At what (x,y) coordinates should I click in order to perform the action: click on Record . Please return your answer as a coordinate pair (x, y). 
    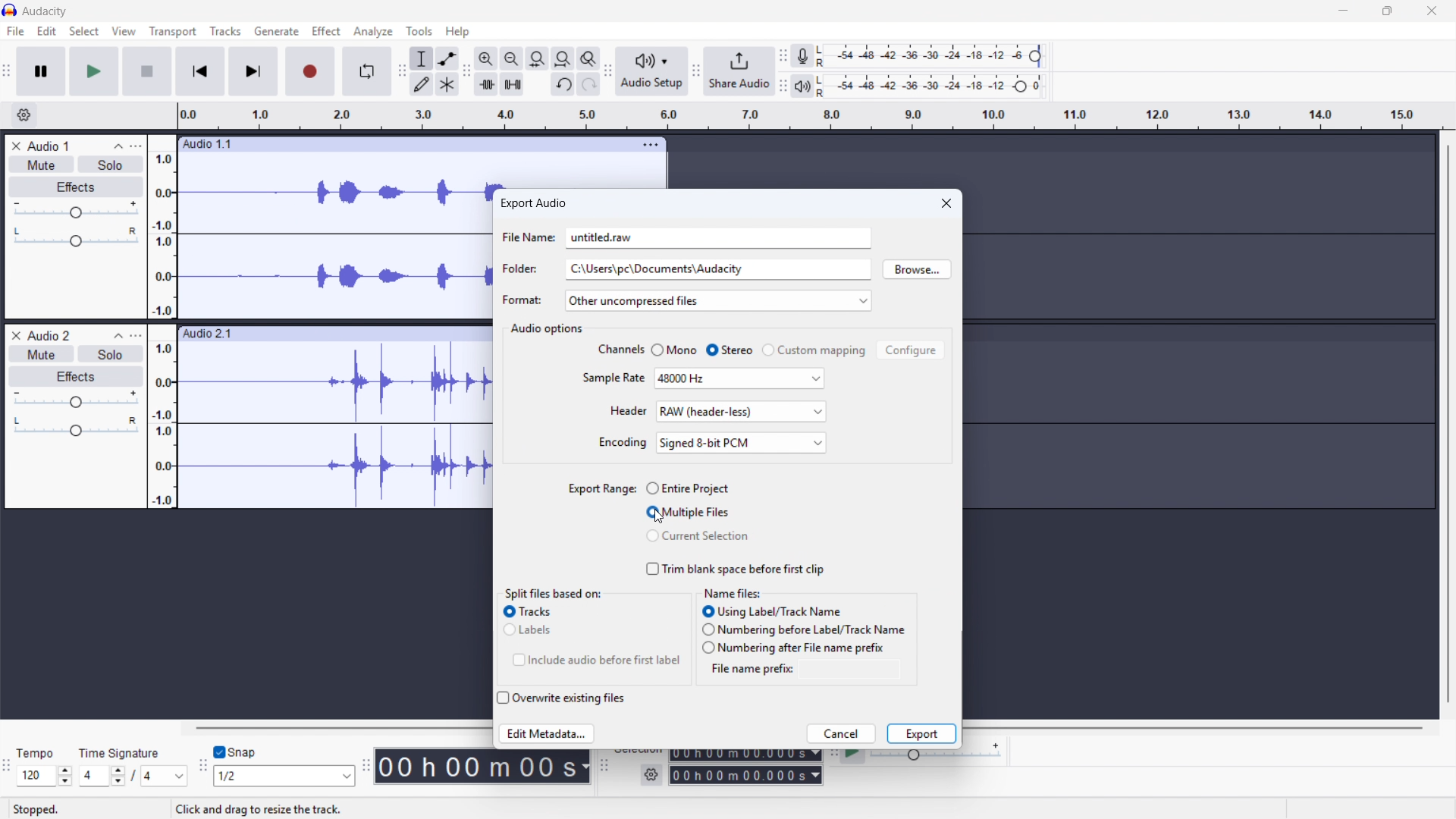
    Looking at the image, I should click on (309, 72).